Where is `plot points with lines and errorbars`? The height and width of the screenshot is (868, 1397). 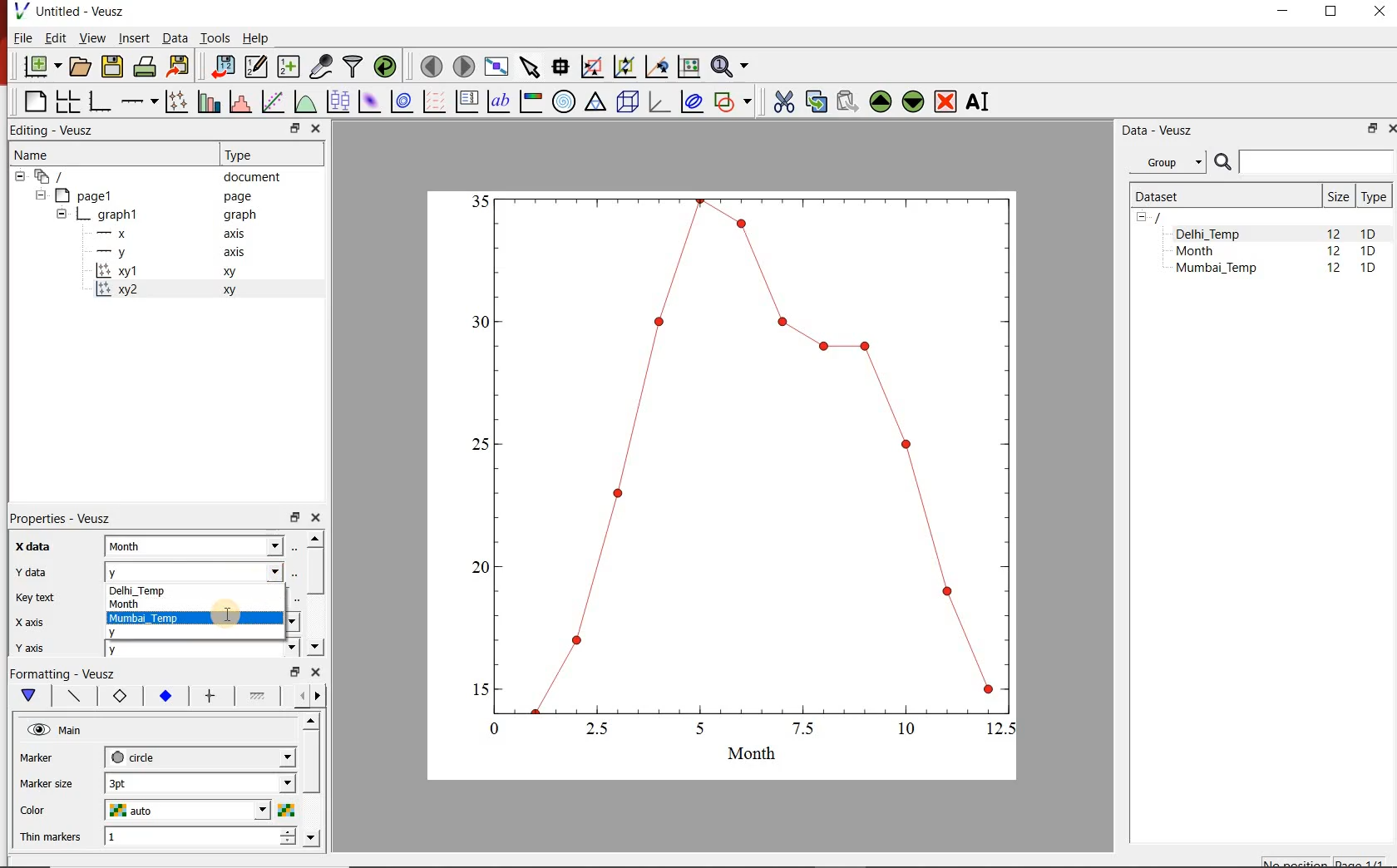 plot points with lines and errorbars is located at coordinates (175, 102).